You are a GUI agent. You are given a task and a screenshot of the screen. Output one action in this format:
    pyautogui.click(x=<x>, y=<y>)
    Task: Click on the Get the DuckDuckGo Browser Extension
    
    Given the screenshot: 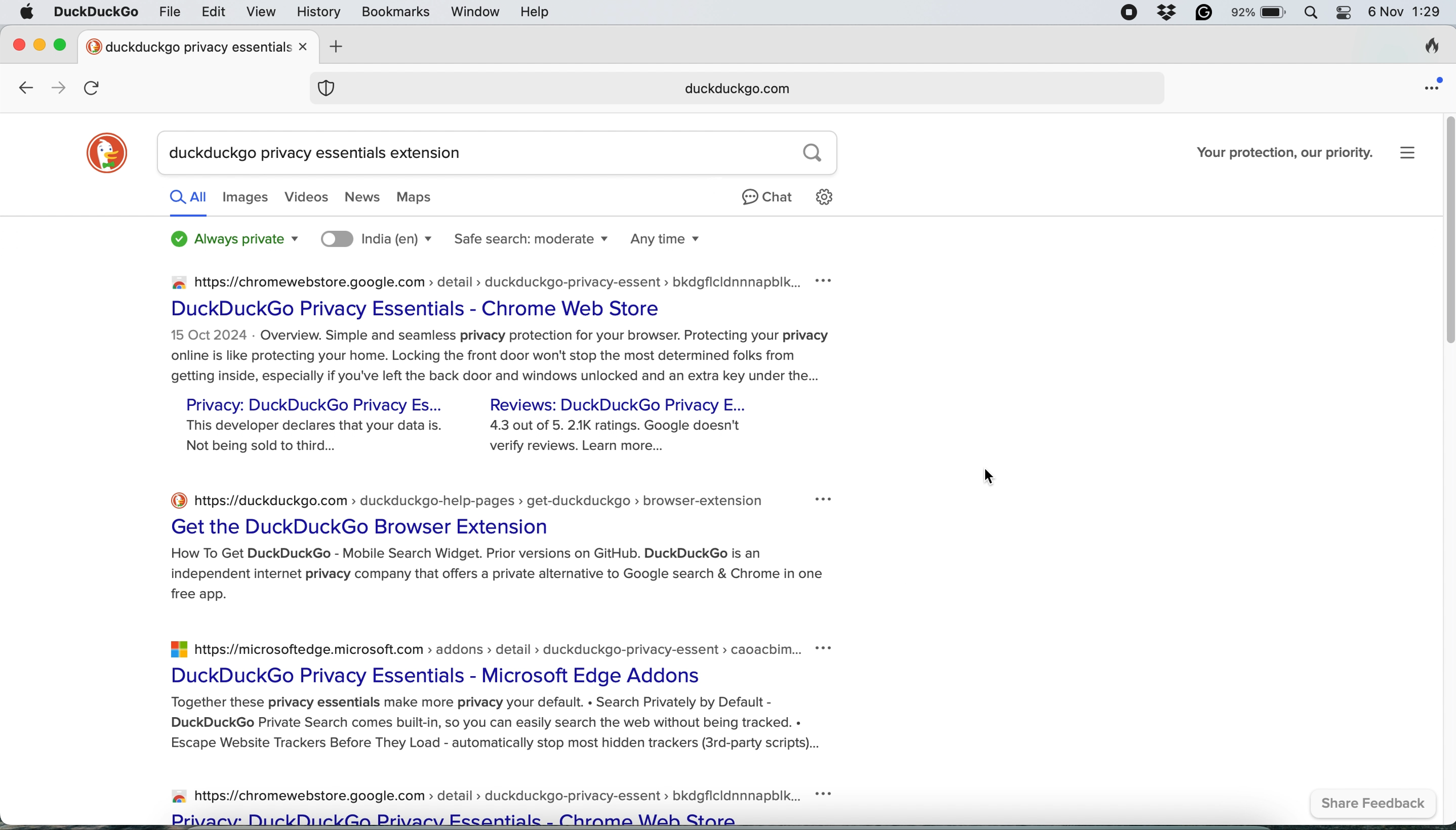 What is the action you would take?
    pyautogui.click(x=366, y=524)
    